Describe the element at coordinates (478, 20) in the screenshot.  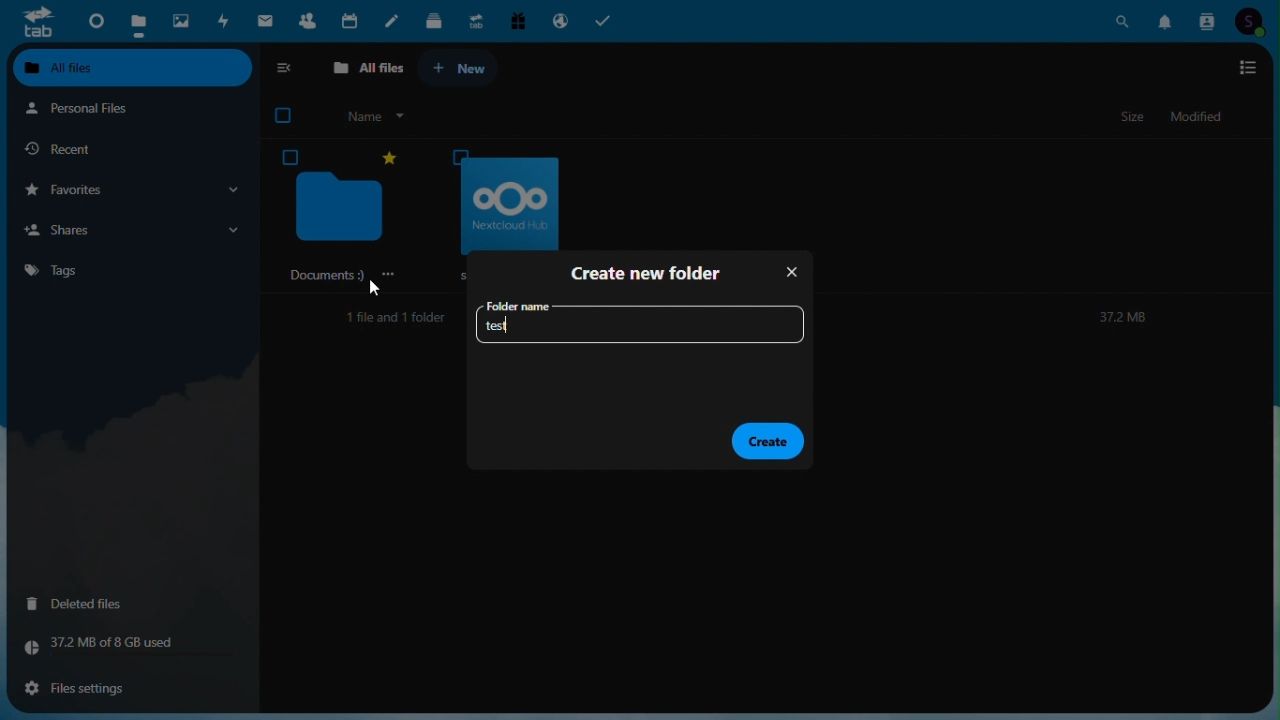
I see `Upgrade` at that location.